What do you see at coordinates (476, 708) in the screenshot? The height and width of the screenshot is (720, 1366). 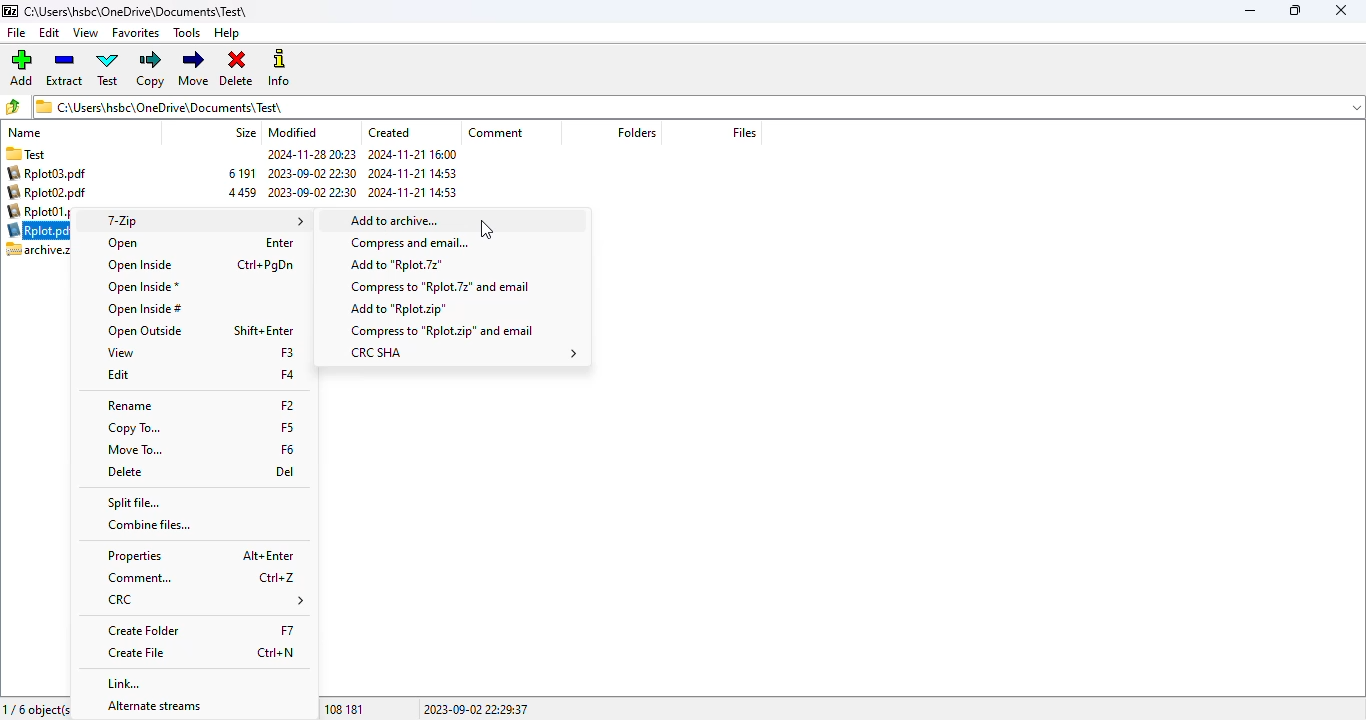 I see `2023-09-02 22:29:37` at bounding box center [476, 708].